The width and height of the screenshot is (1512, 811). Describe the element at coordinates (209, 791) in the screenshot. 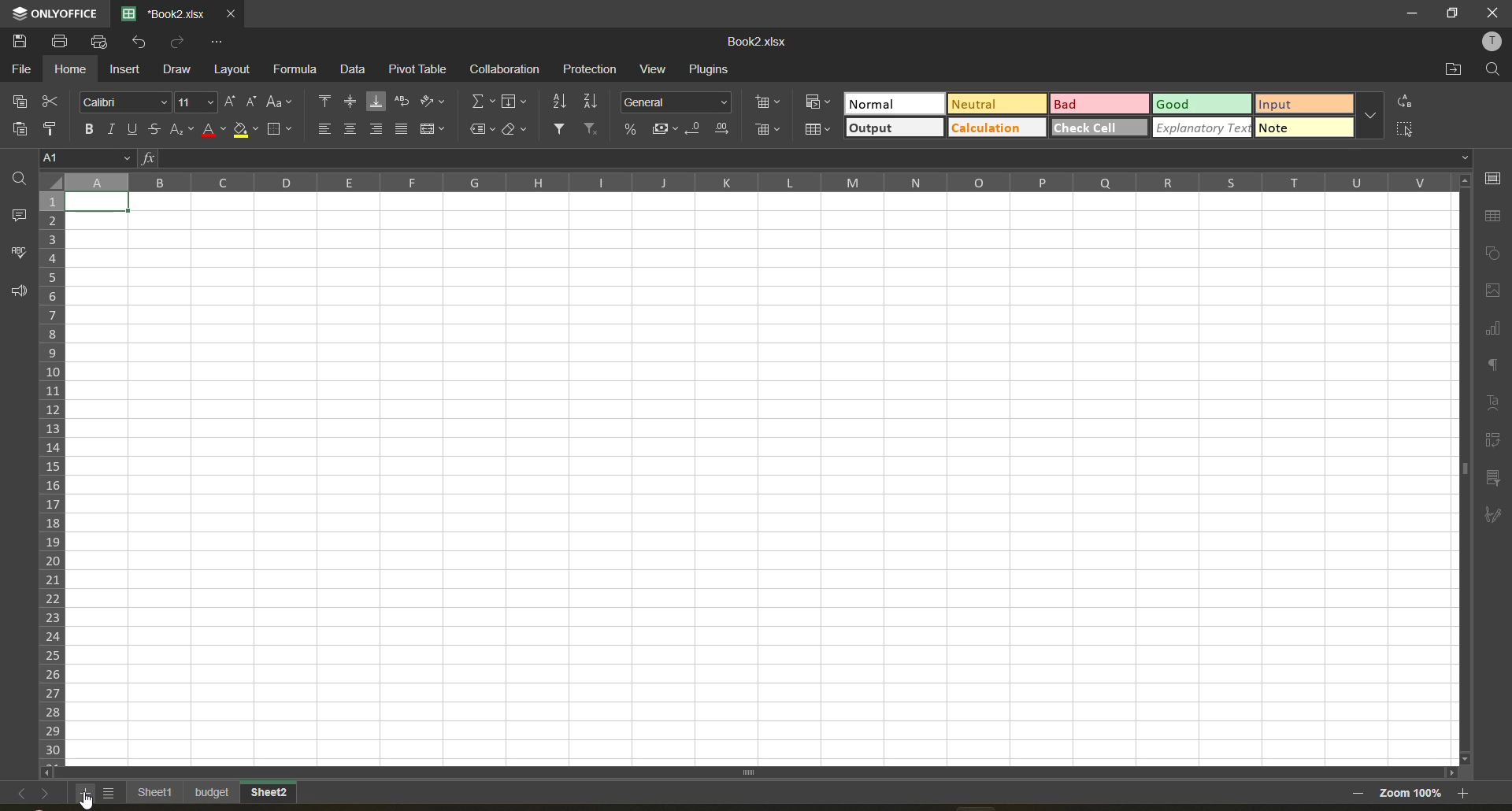

I see `budget` at that location.